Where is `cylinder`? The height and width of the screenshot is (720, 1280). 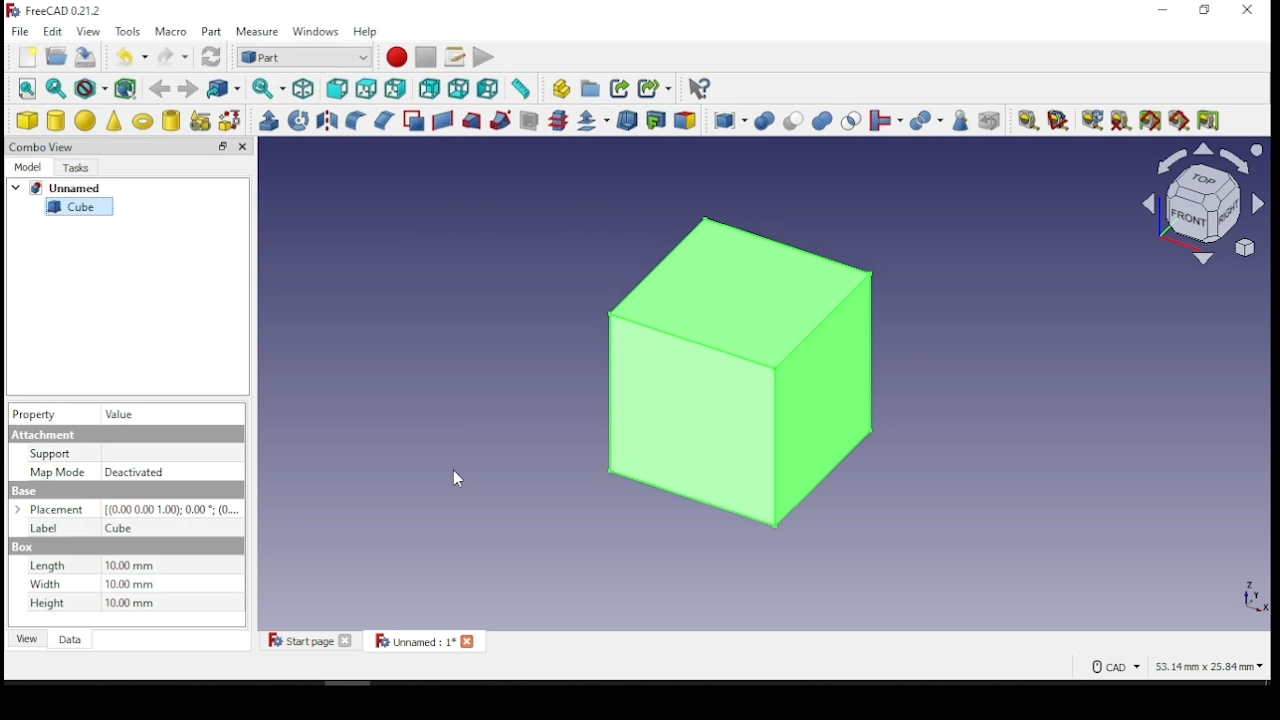
cylinder is located at coordinates (56, 121).